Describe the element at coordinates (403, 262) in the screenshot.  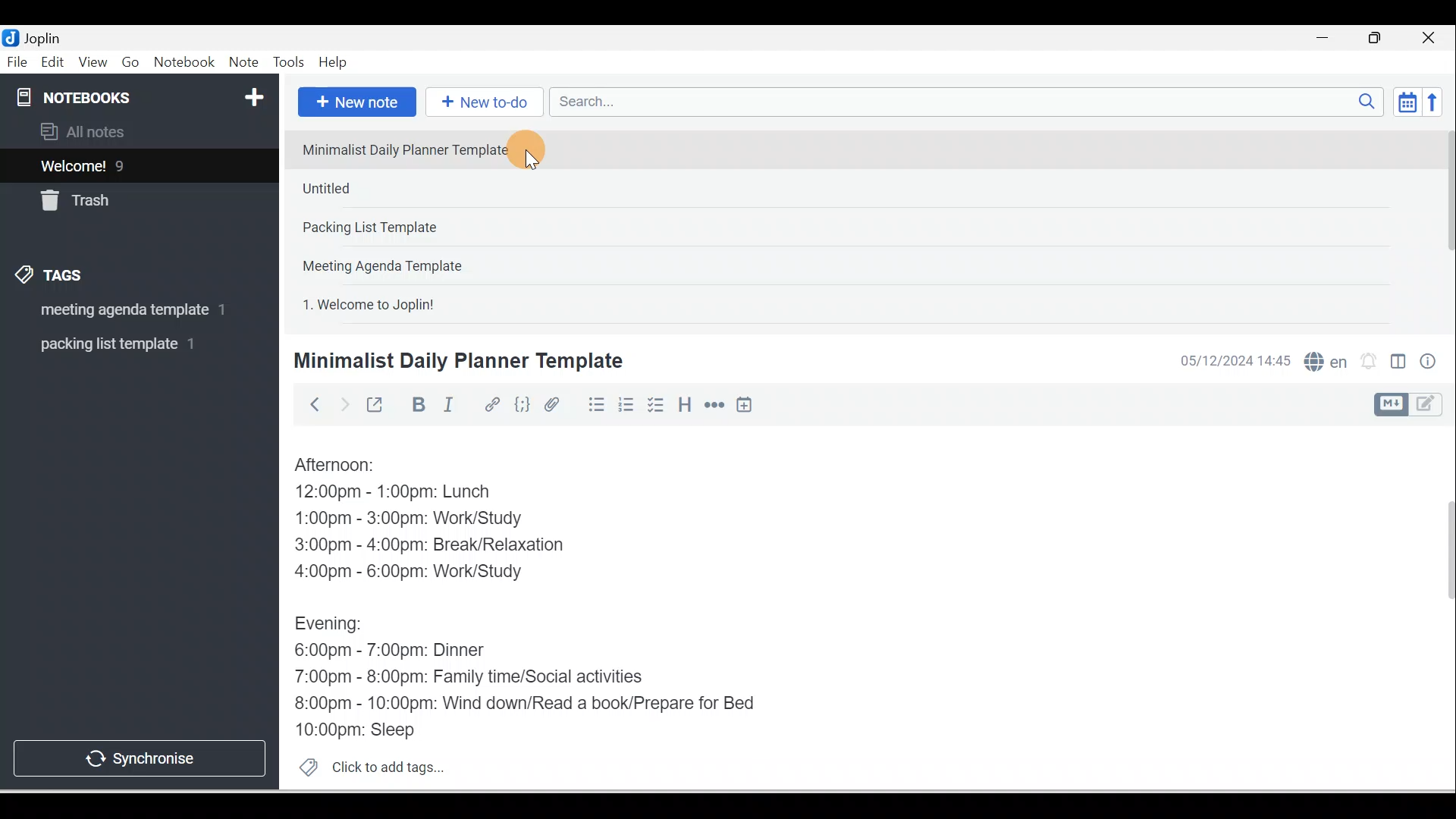
I see `Note 4` at that location.